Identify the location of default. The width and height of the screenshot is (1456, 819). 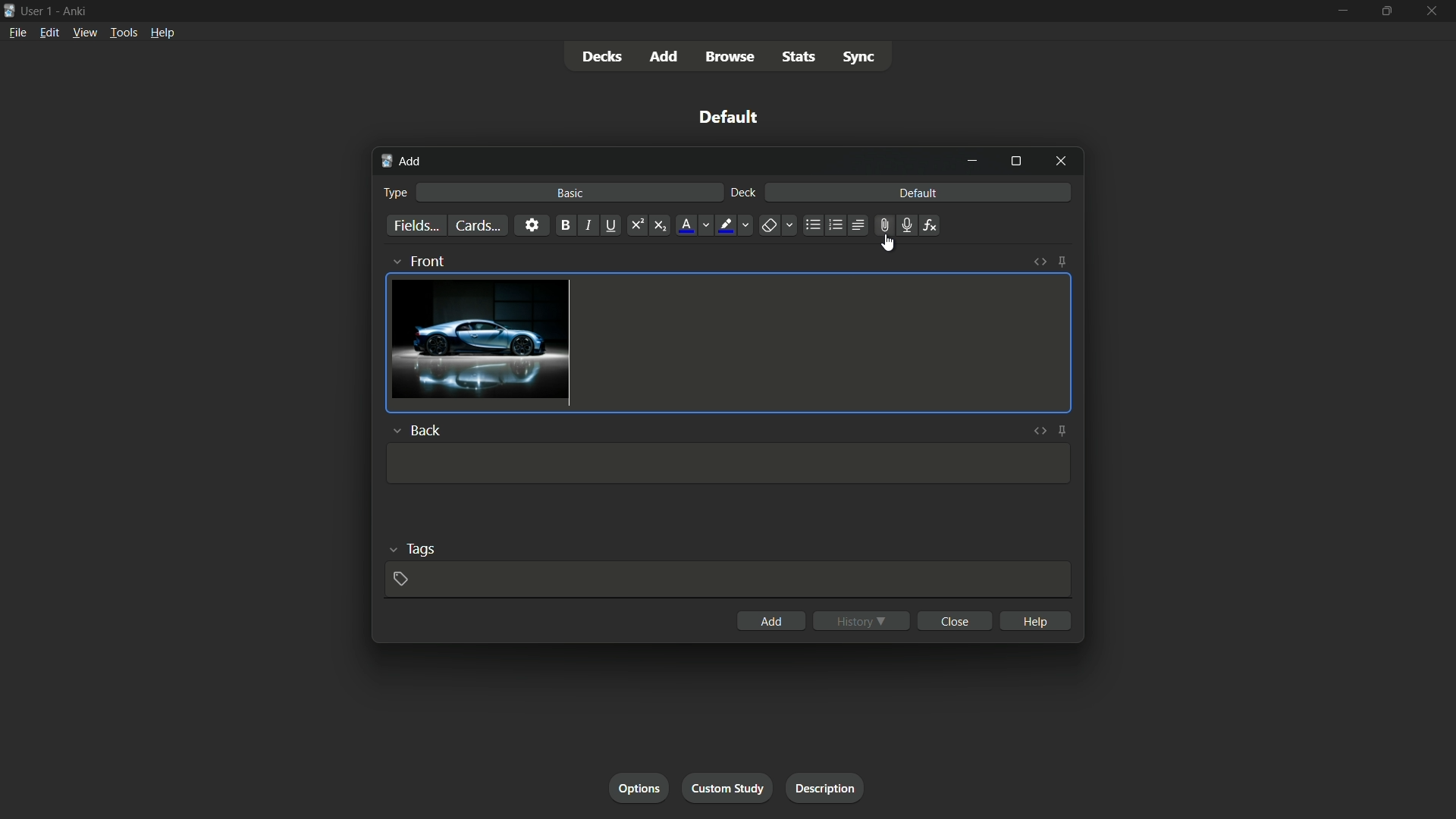
(918, 193).